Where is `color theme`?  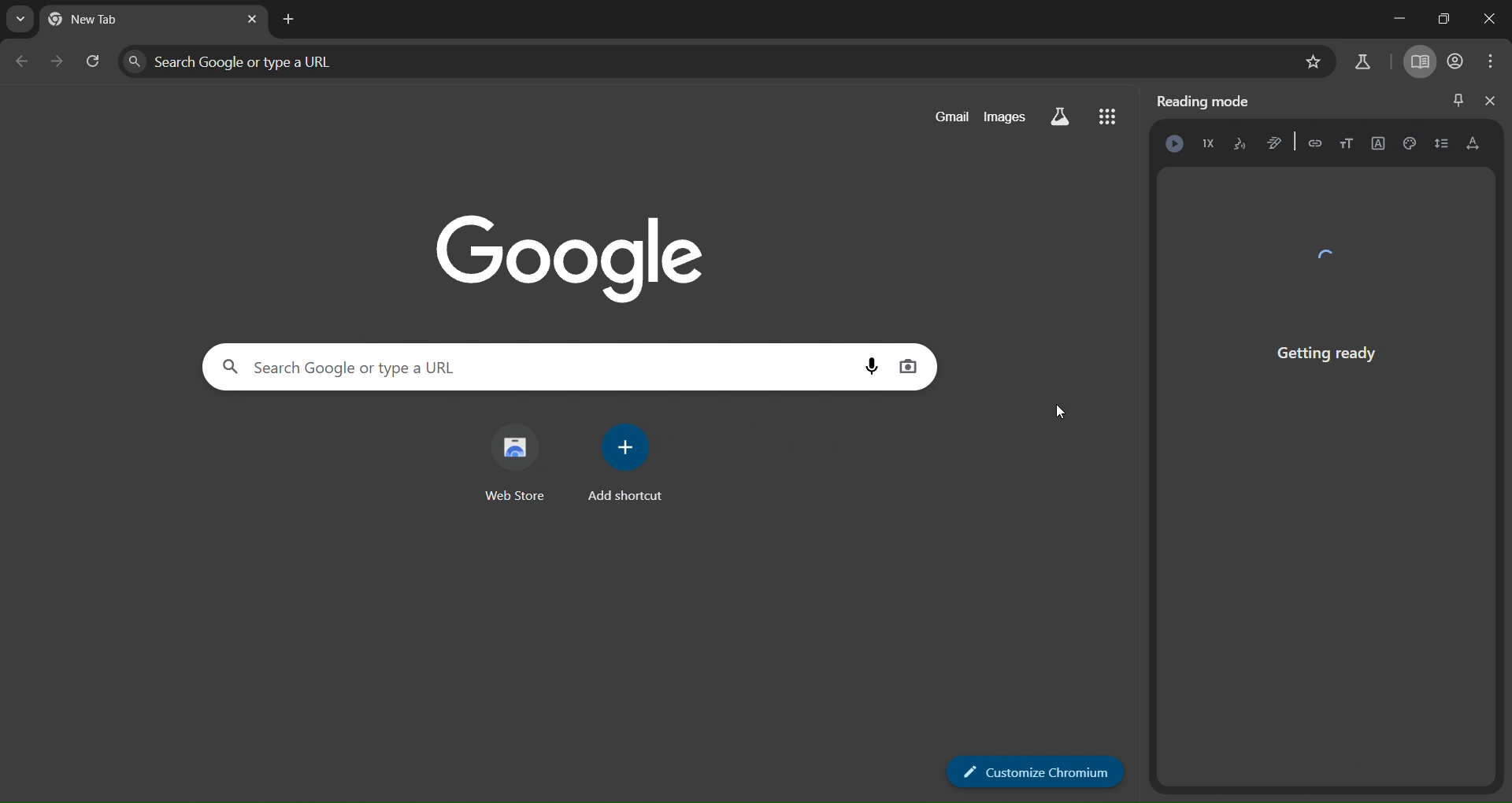 color theme is located at coordinates (1411, 143).